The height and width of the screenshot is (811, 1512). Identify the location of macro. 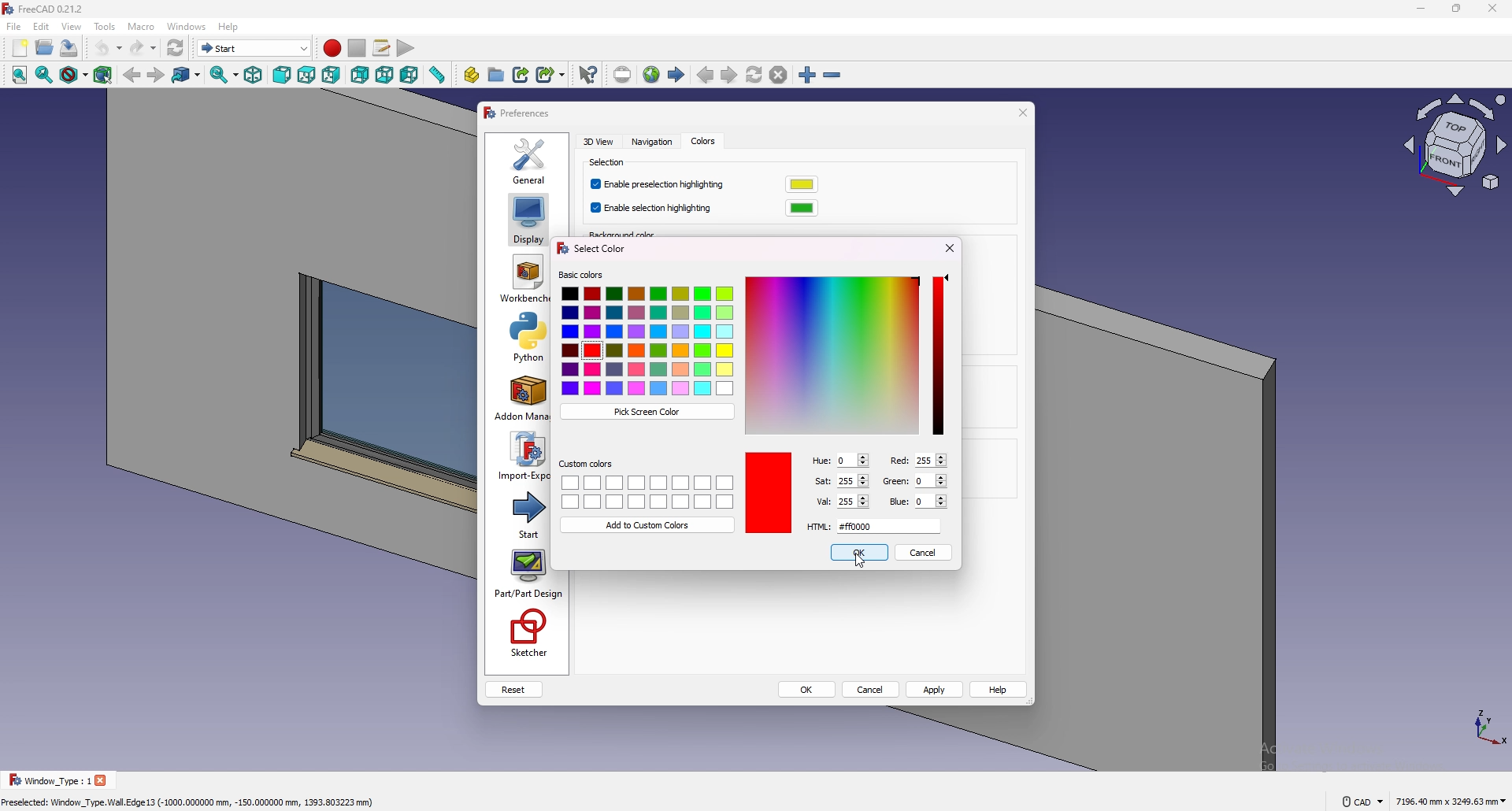
(142, 27).